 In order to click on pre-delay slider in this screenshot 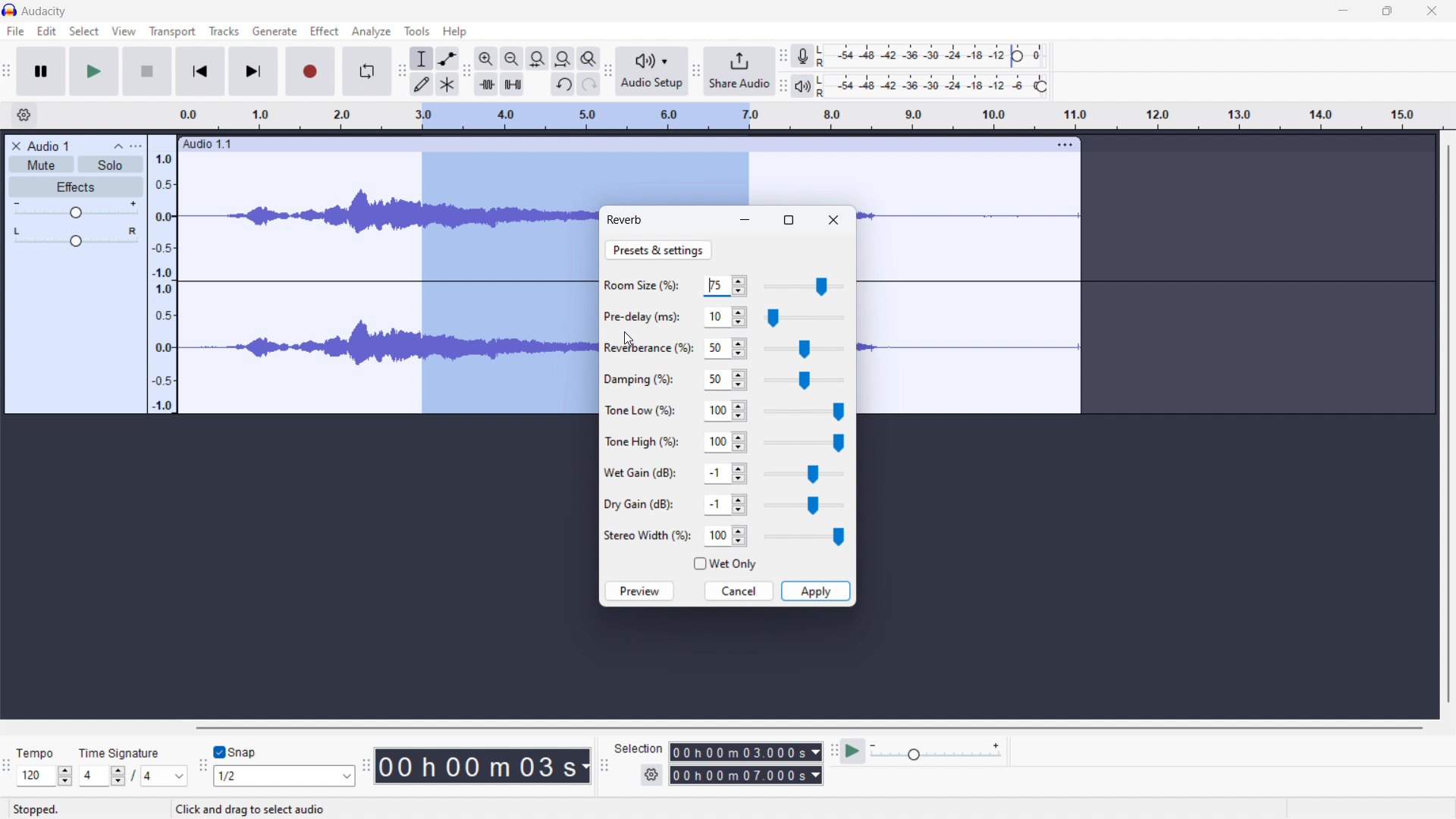, I will do `click(801, 318)`.